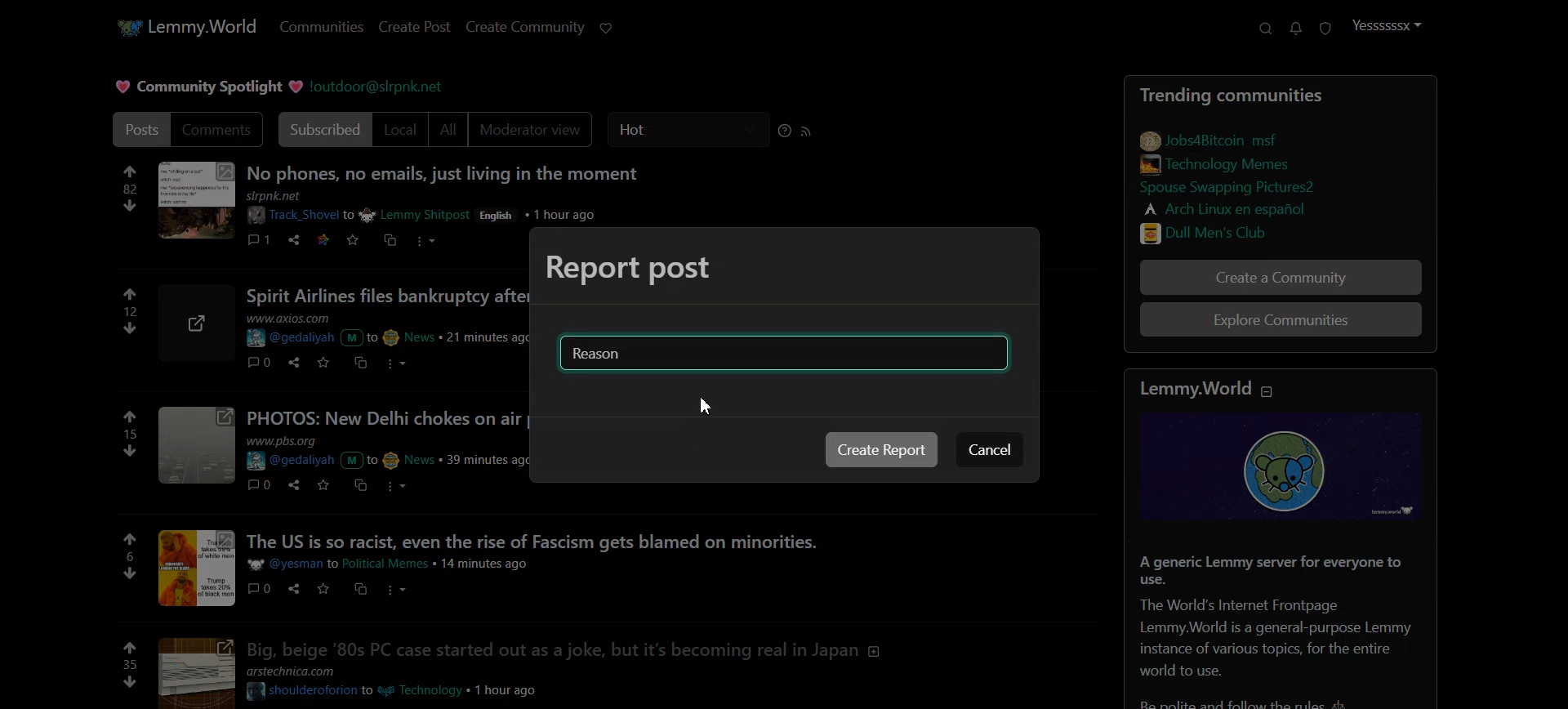  I want to click on Create a Community, so click(1281, 277).